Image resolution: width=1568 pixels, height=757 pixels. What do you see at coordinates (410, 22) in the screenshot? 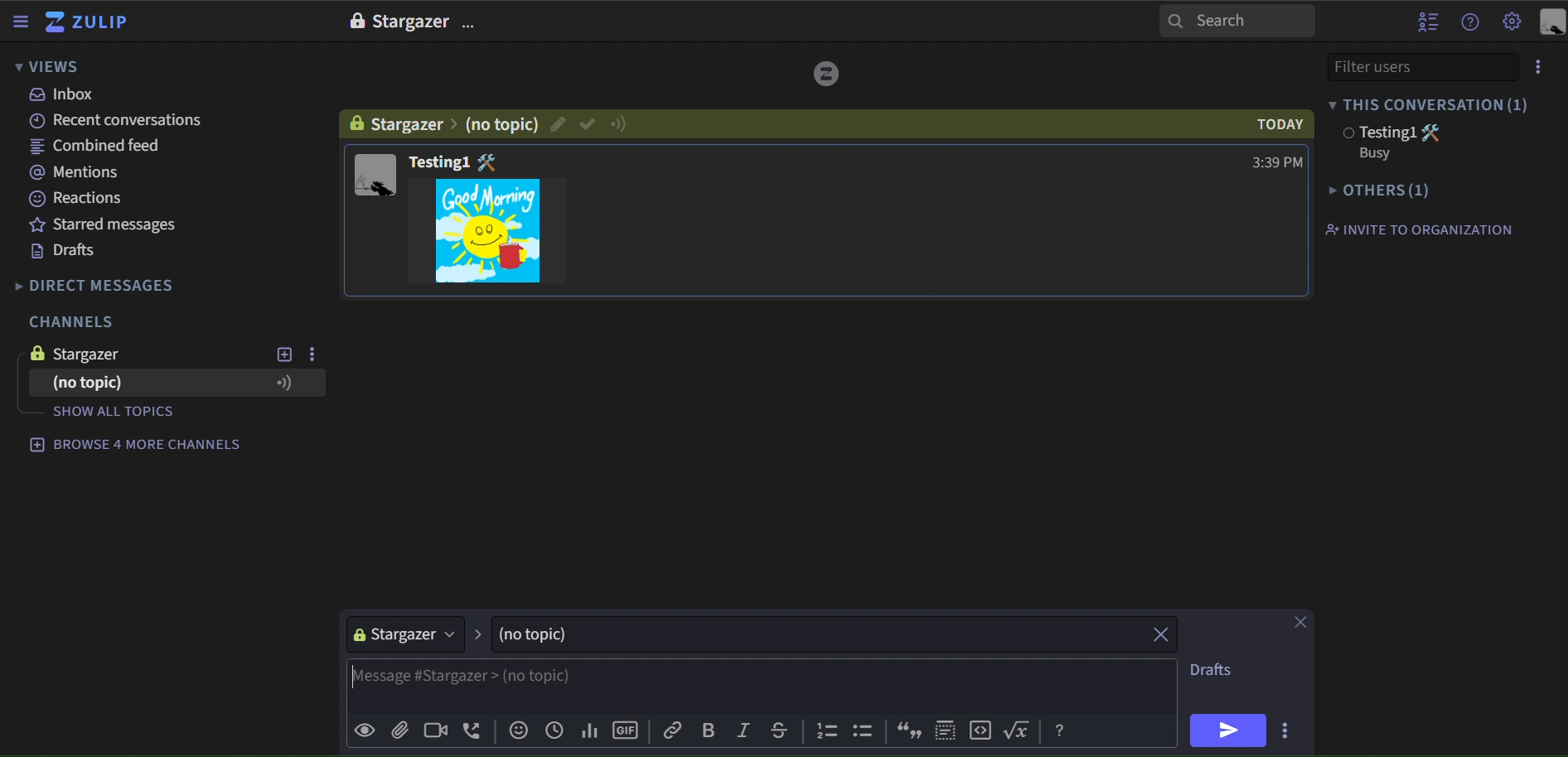
I see `Stargazer` at bounding box center [410, 22].